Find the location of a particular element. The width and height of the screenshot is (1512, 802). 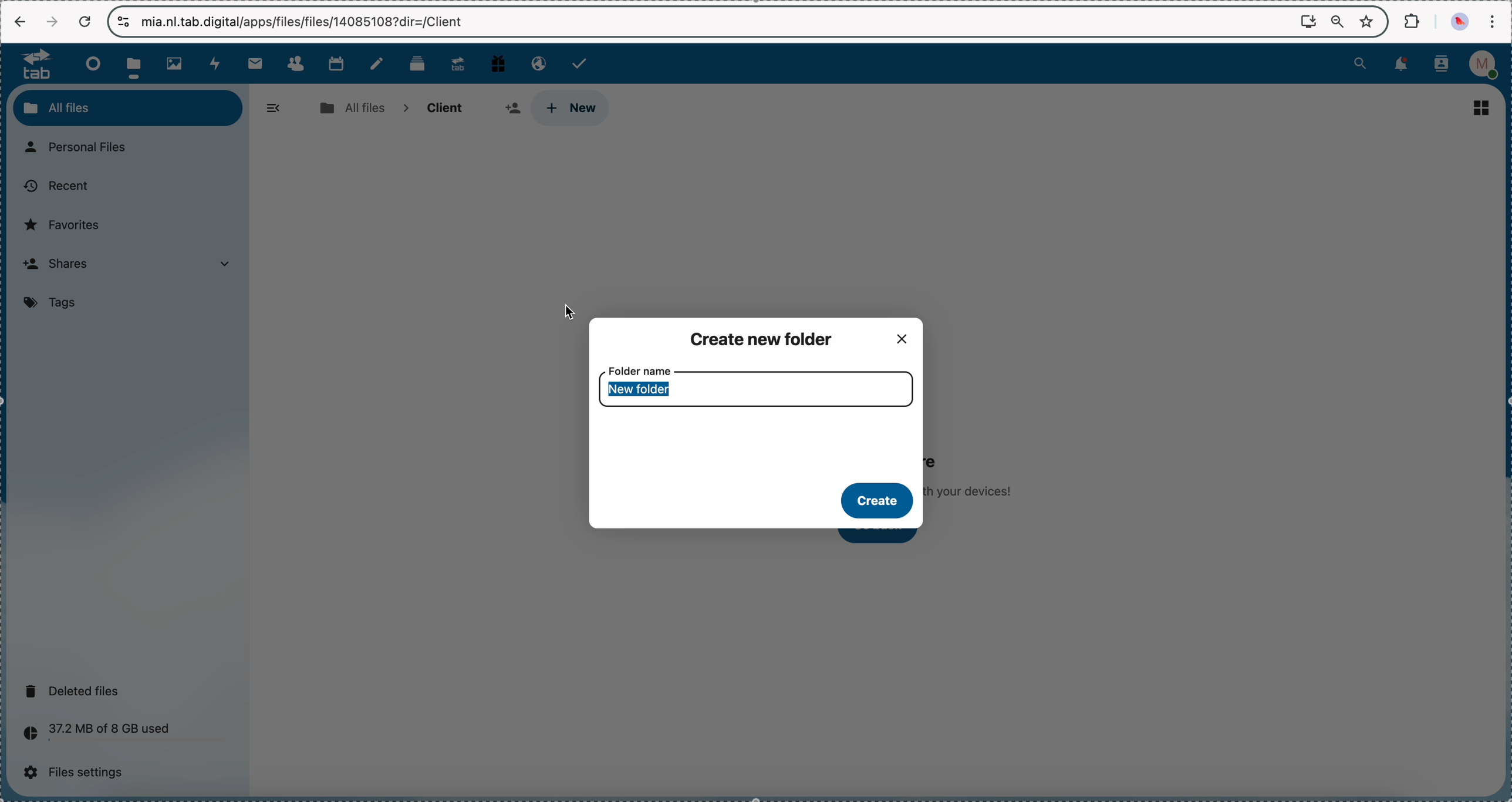

tags is located at coordinates (54, 304).